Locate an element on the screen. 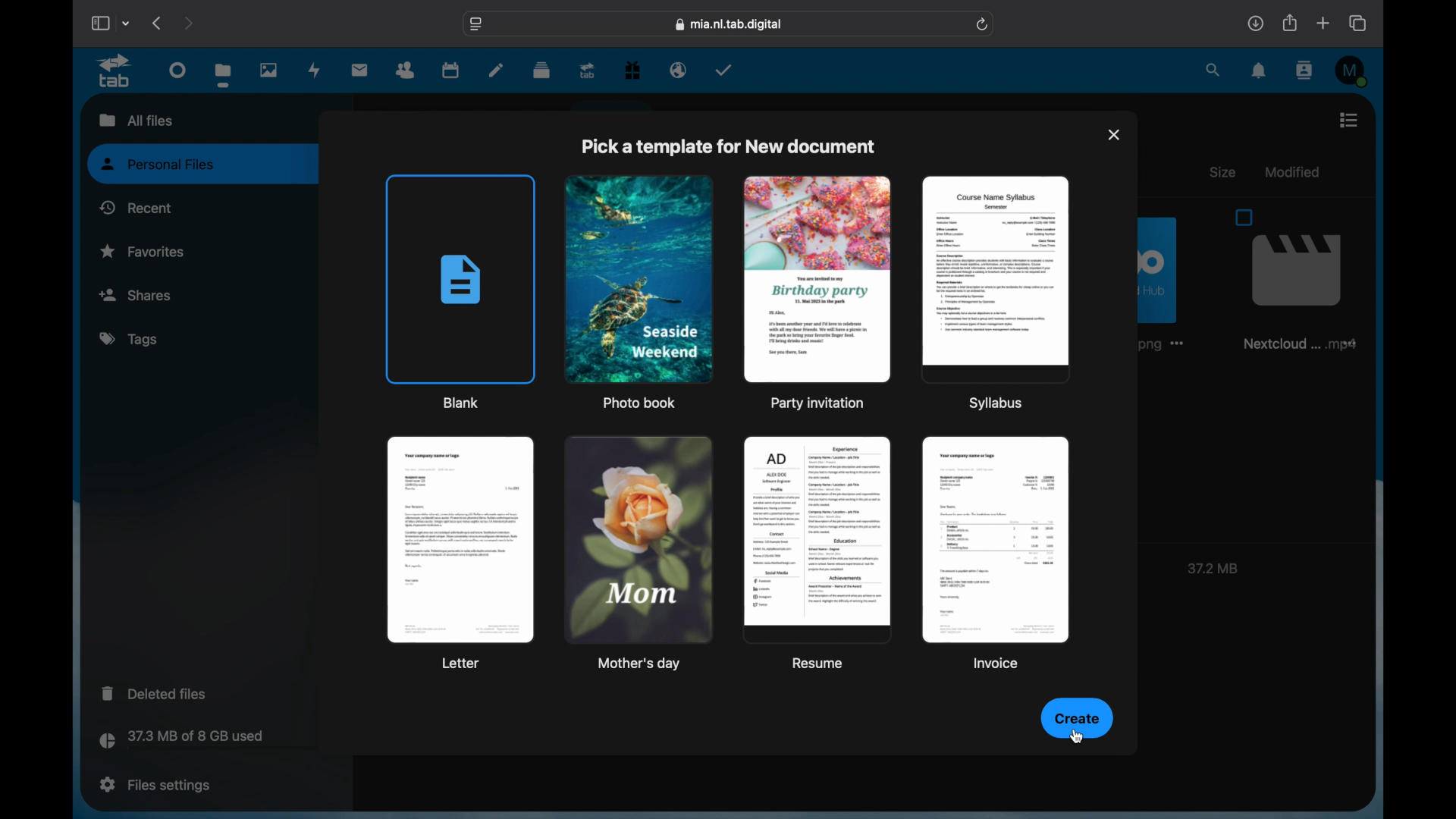 Image resolution: width=1456 pixels, height=819 pixels. recent is located at coordinates (136, 207).